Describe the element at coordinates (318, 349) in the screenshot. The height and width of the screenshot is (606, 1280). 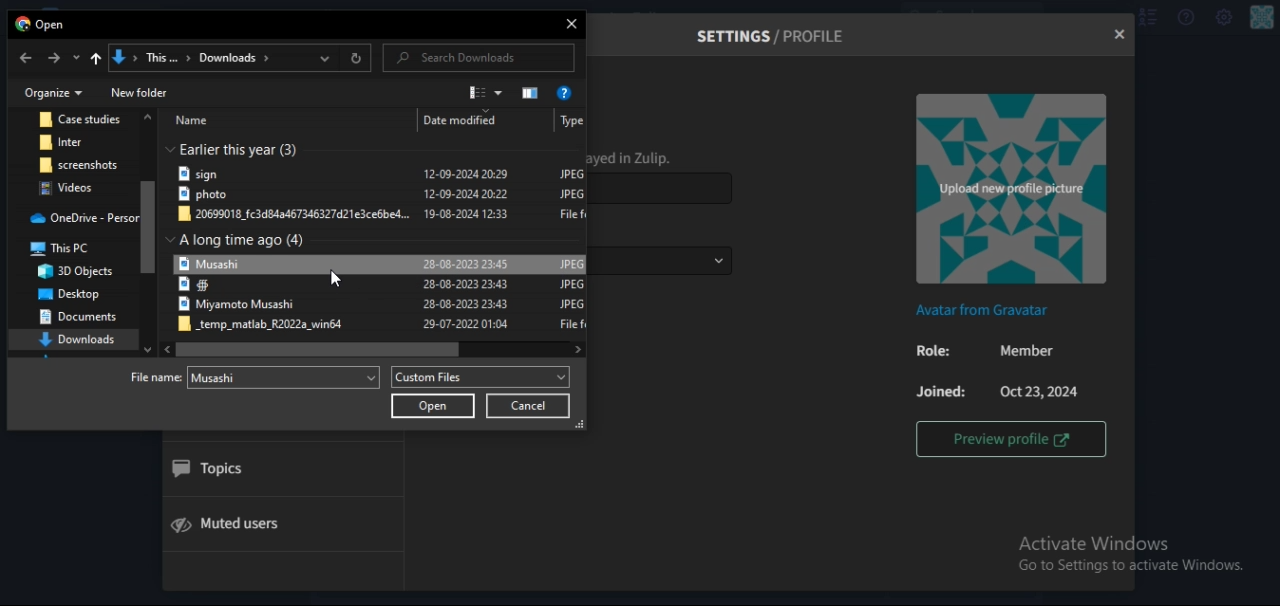
I see `scrollbar` at that location.